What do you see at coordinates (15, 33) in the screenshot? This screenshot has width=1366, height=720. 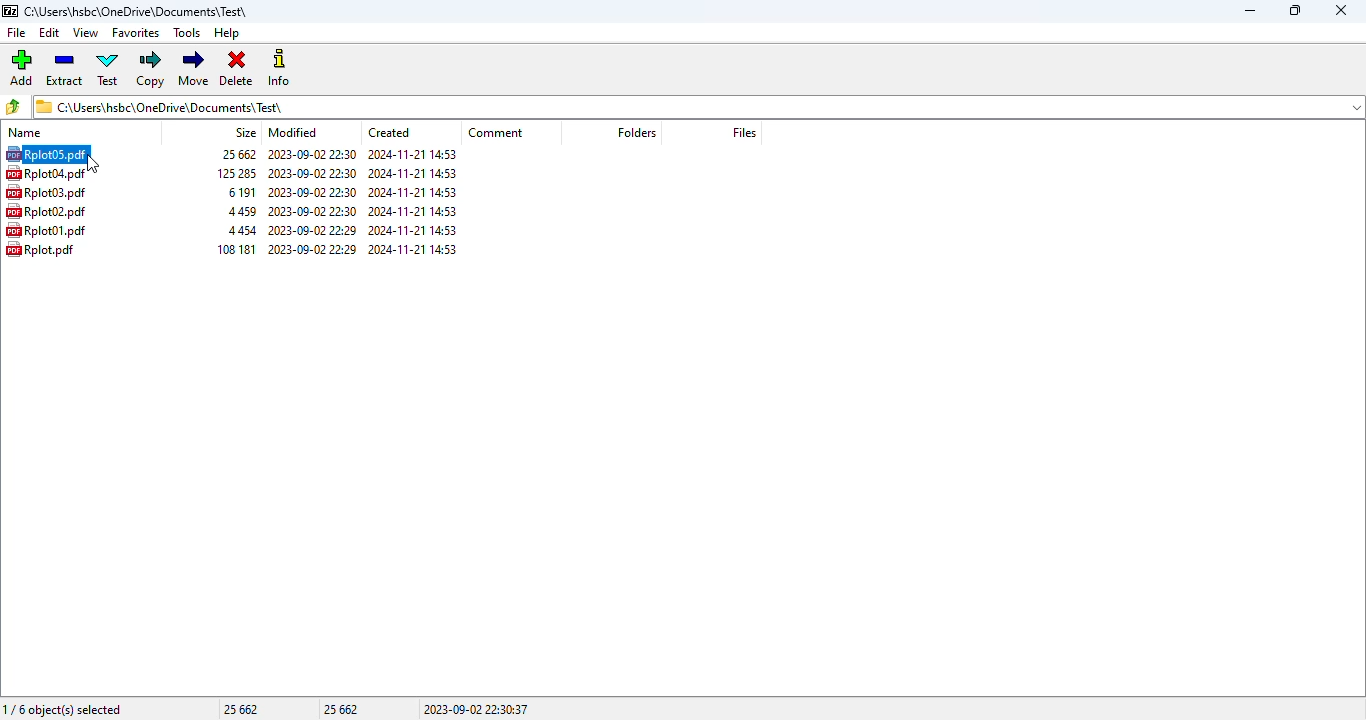 I see `file` at bounding box center [15, 33].